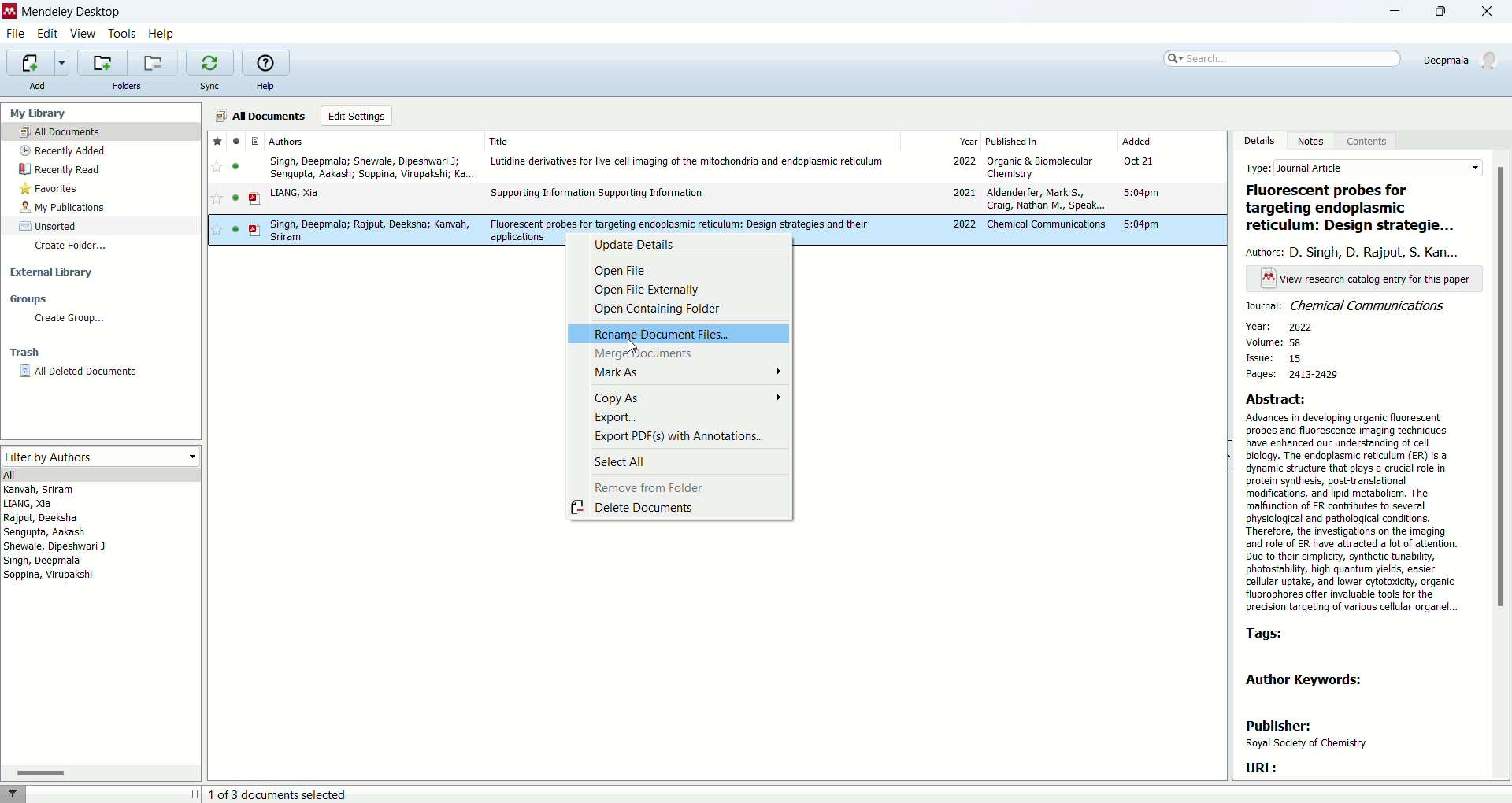 The height and width of the screenshot is (803, 1512). Describe the element at coordinates (1279, 326) in the screenshot. I see `year` at that location.